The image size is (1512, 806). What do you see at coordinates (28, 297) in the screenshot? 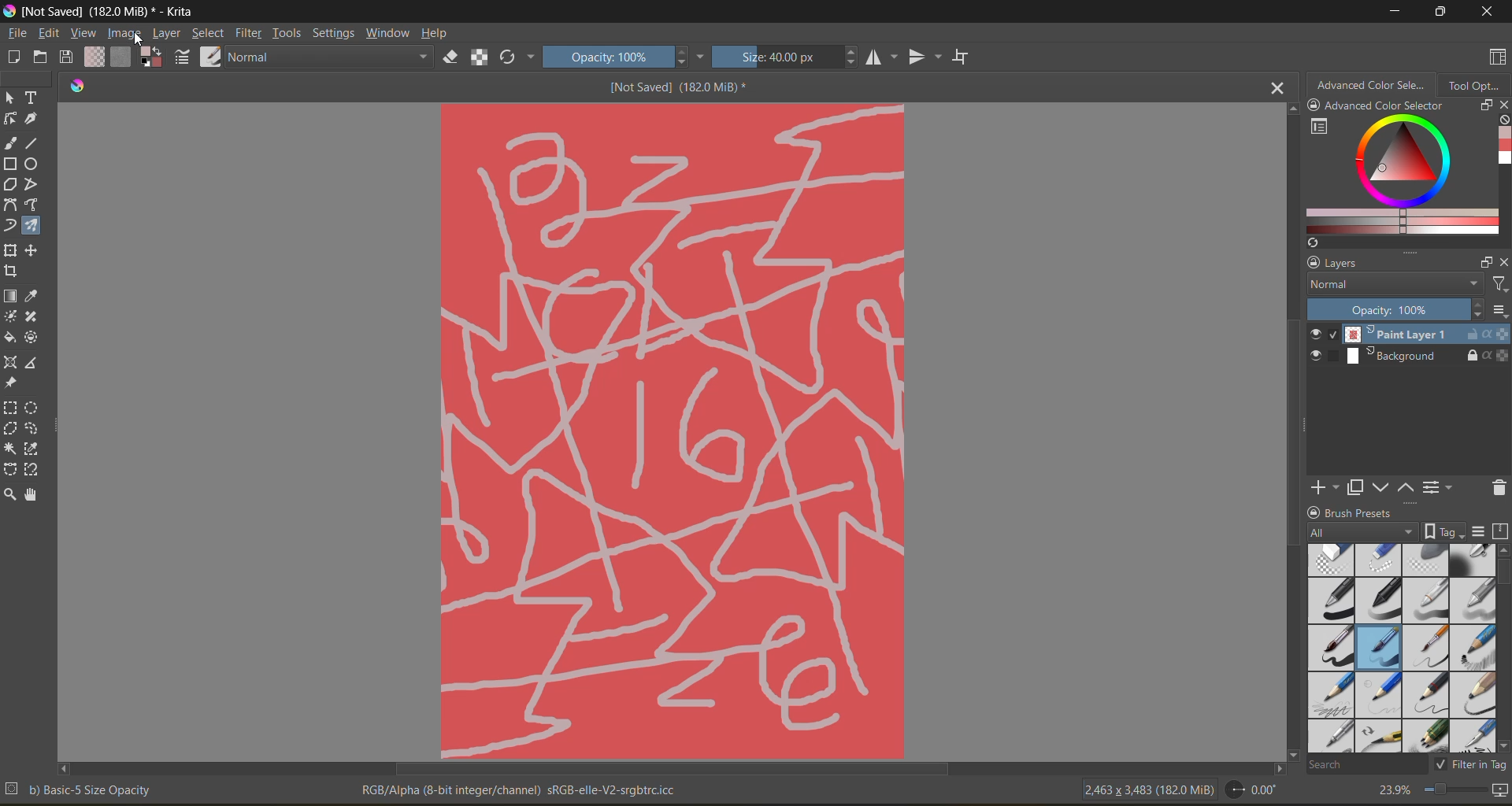
I see `tools` at bounding box center [28, 297].